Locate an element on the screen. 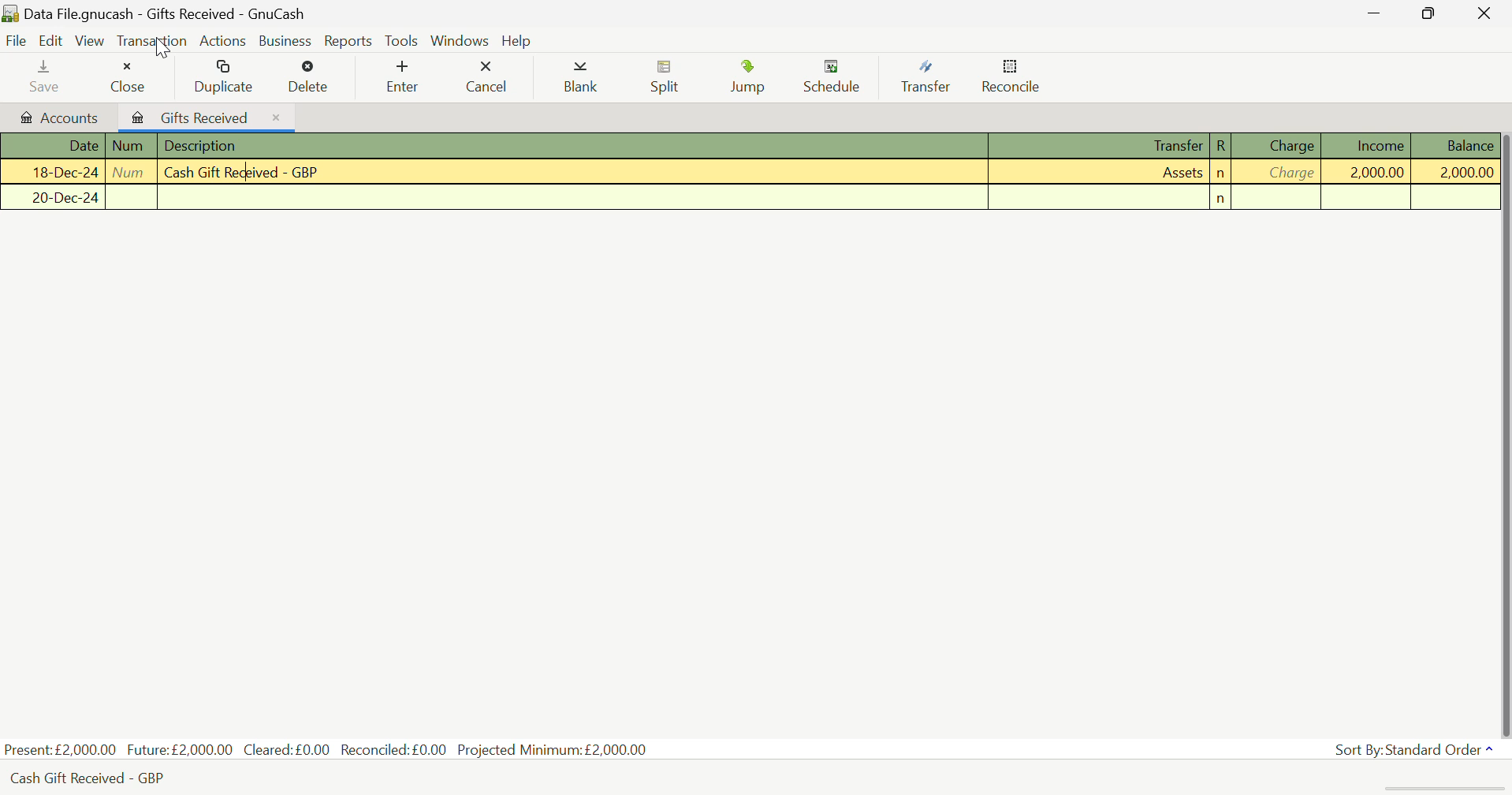  Future is located at coordinates (181, 748).